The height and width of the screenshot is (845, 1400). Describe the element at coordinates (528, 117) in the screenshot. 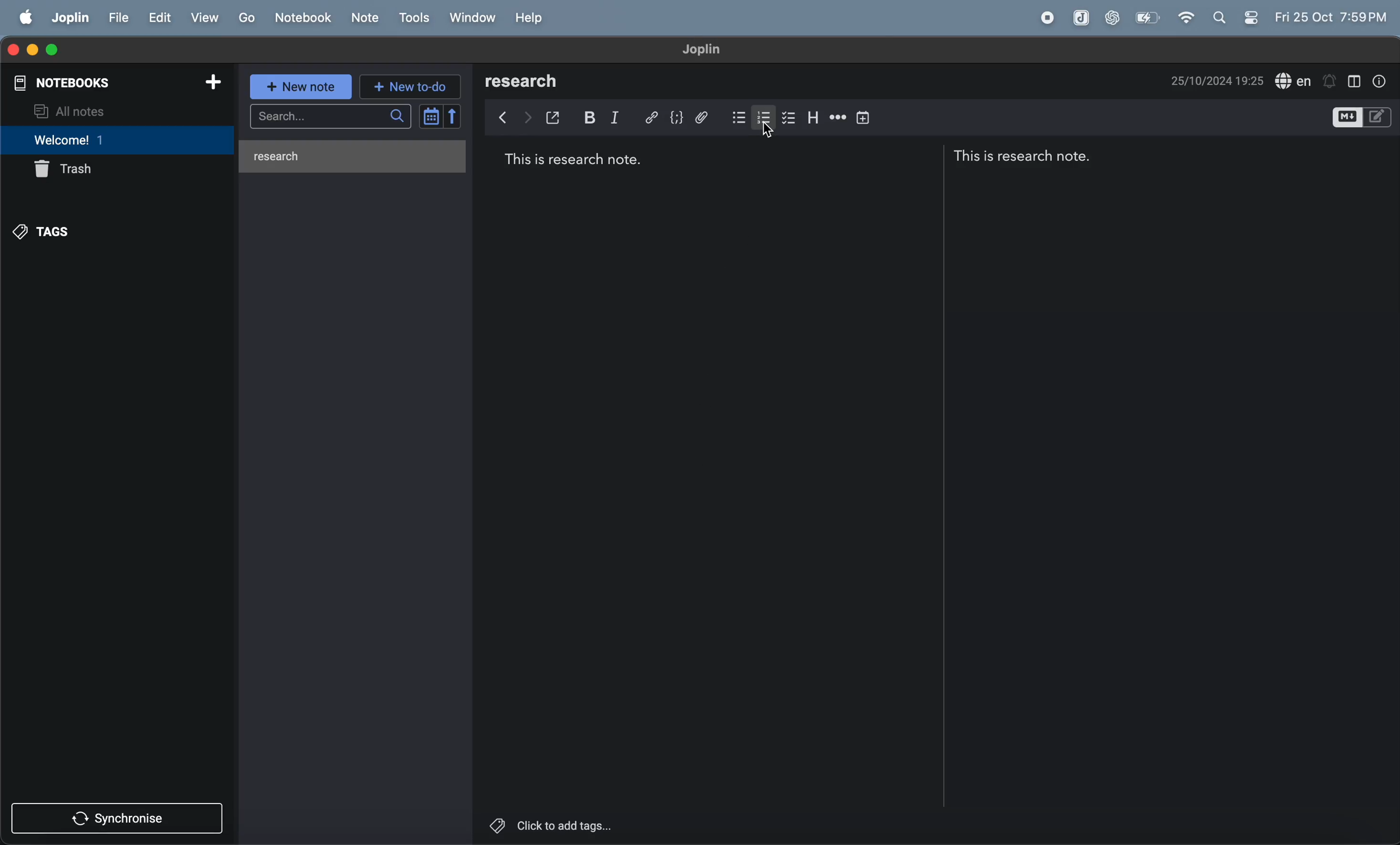

I see `forward` at that location.